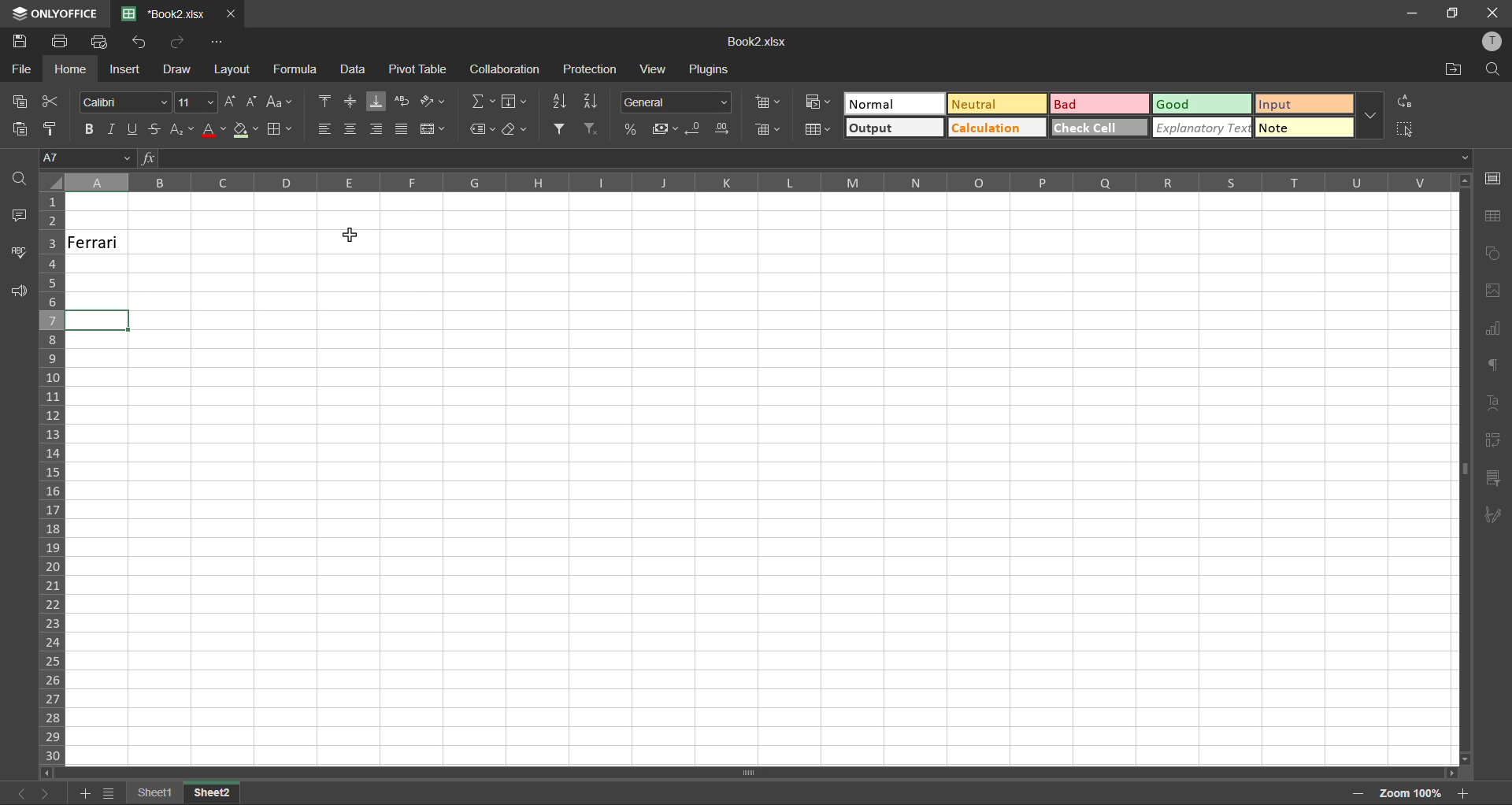  I want to click on sheet 2, so click(228, 794).